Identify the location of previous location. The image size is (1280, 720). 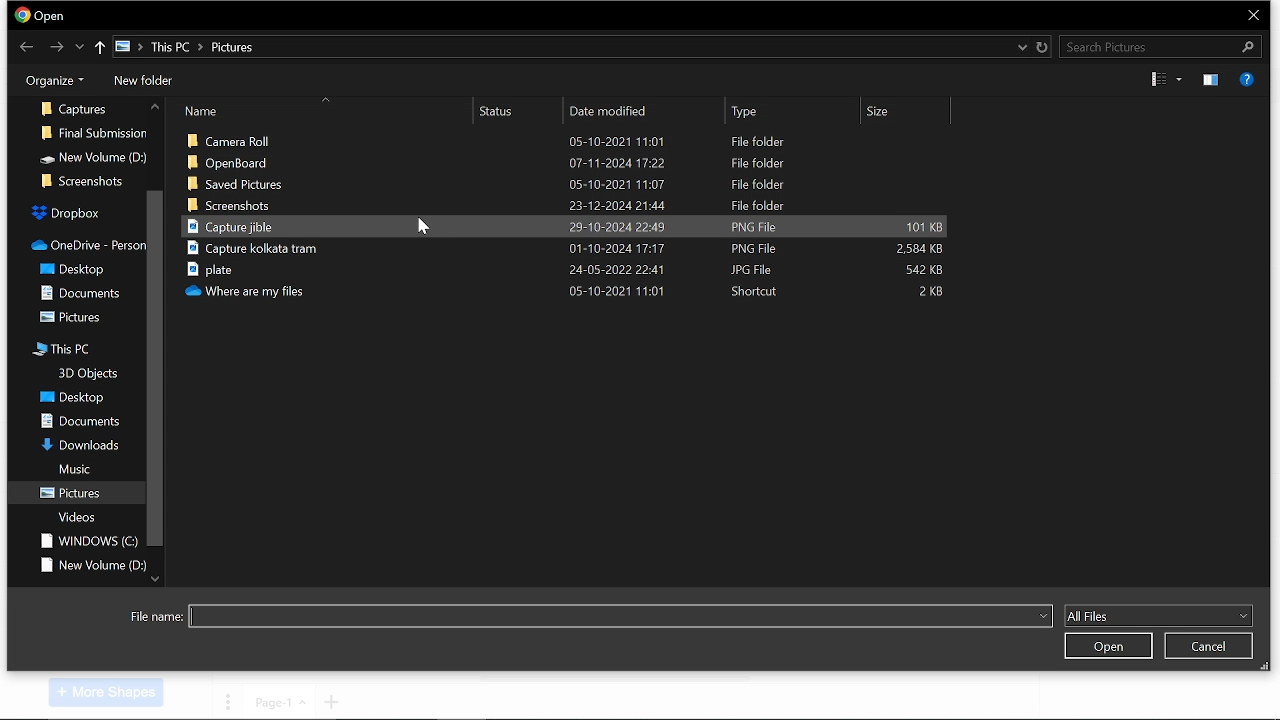
(80, 48).